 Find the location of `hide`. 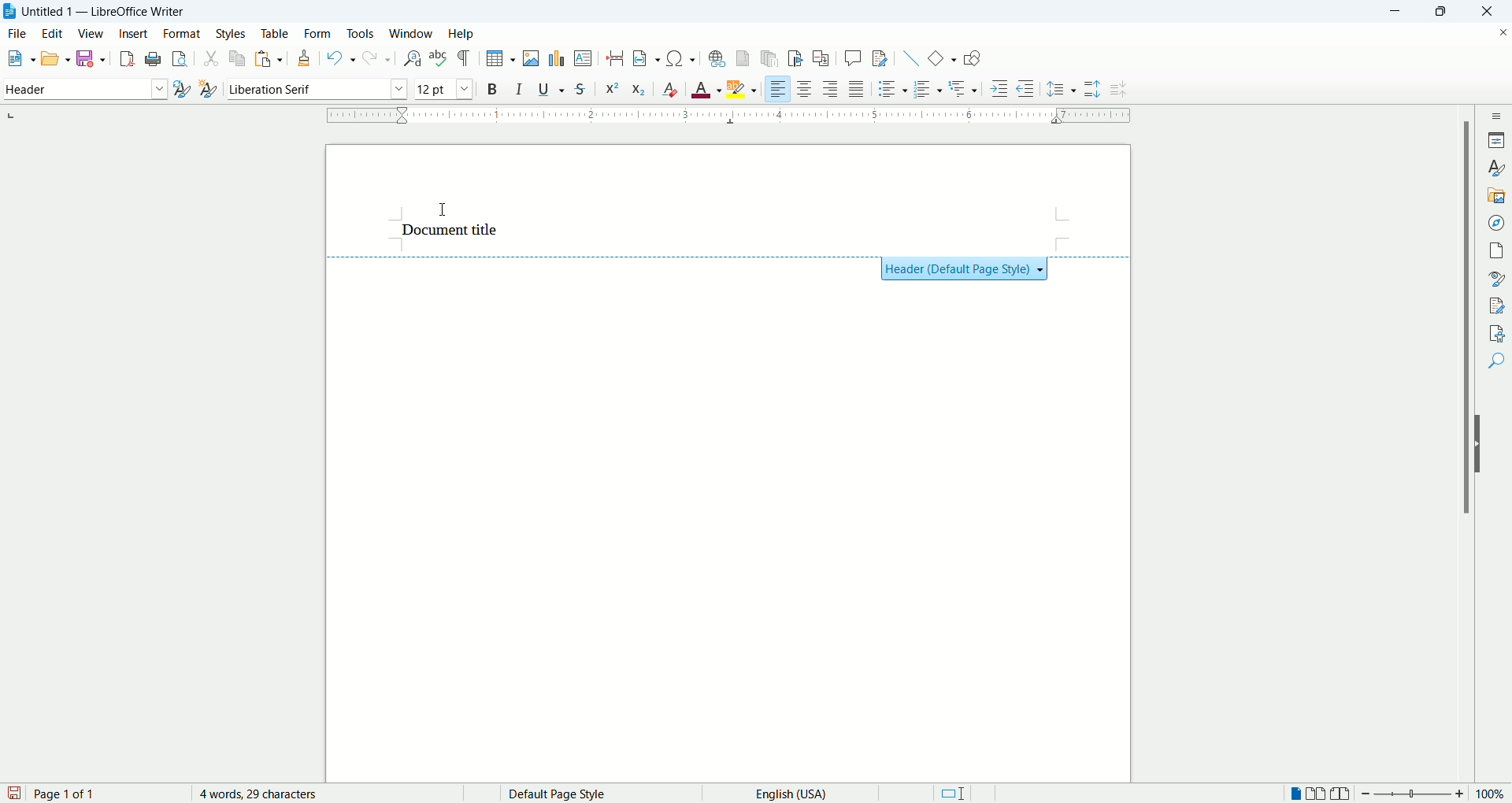

hide is located at coordinates (1482, 448).